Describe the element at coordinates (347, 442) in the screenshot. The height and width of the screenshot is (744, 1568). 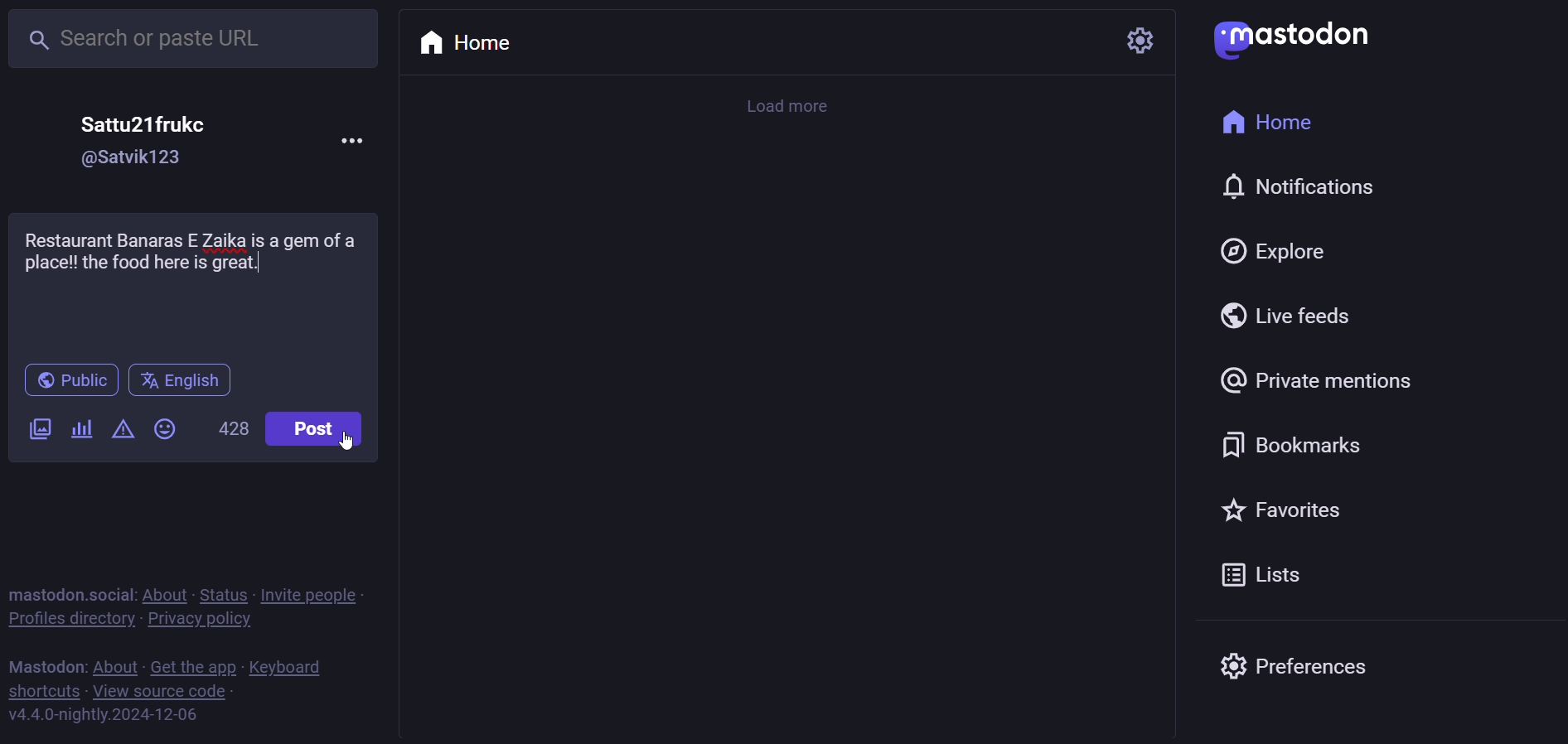
I see `Cursor` at that location.